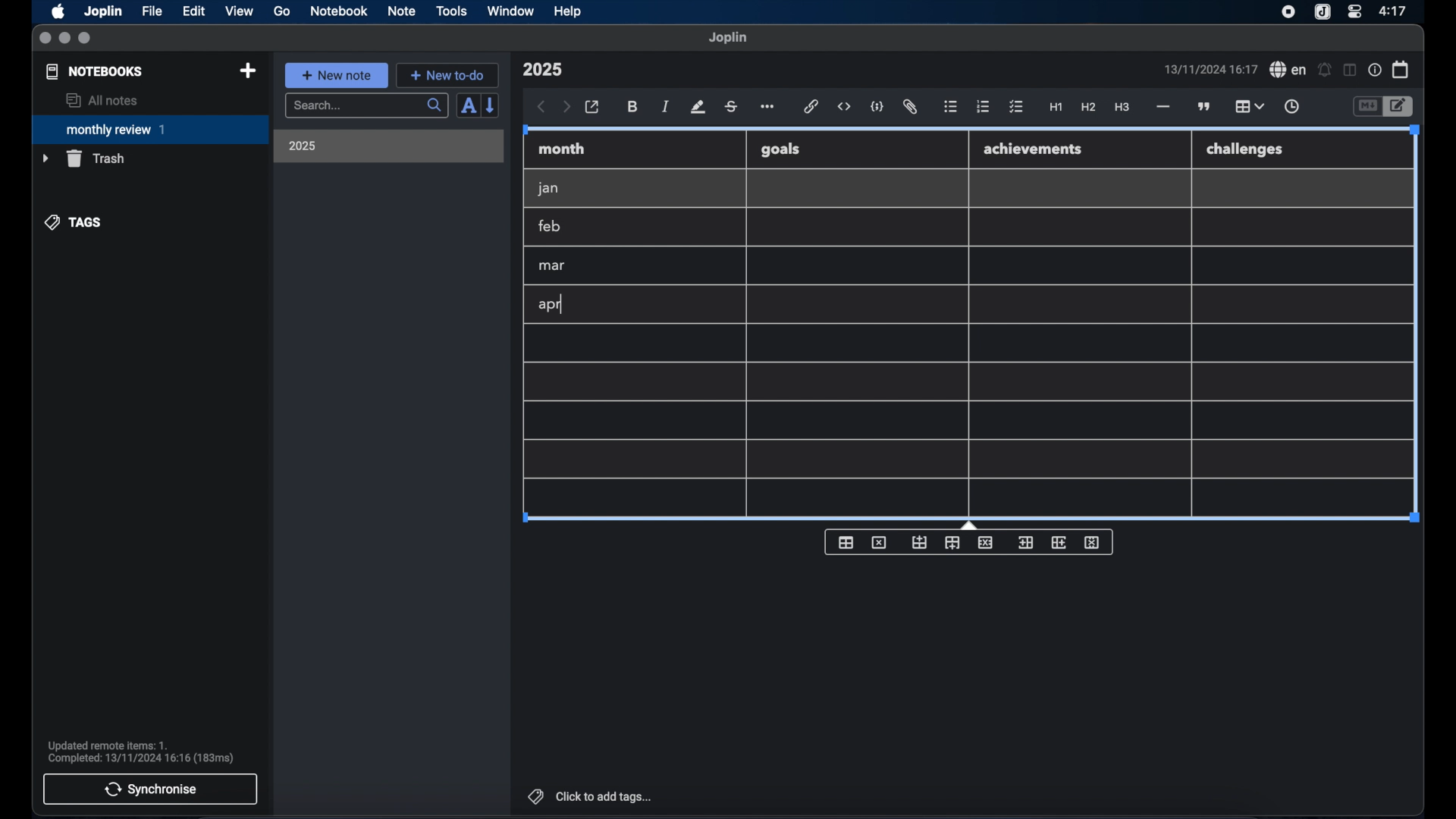  I want to click on insert row before, so click(920, 543).